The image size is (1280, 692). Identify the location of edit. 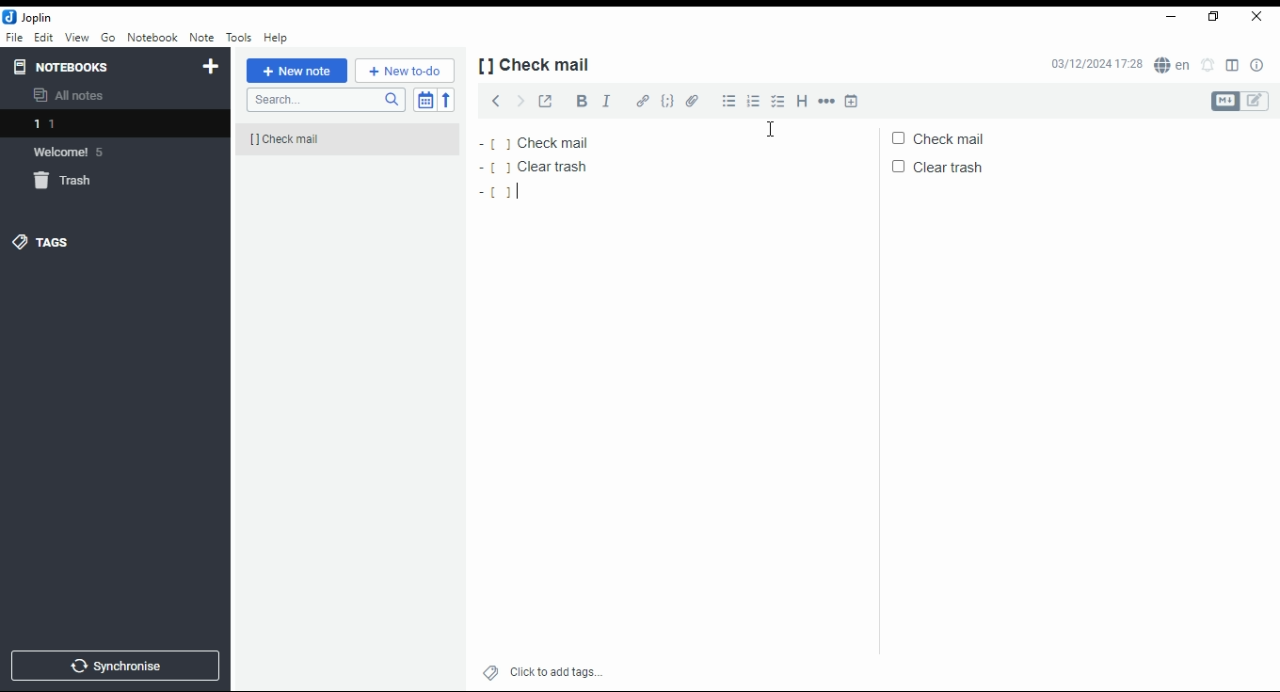
(44, 36).